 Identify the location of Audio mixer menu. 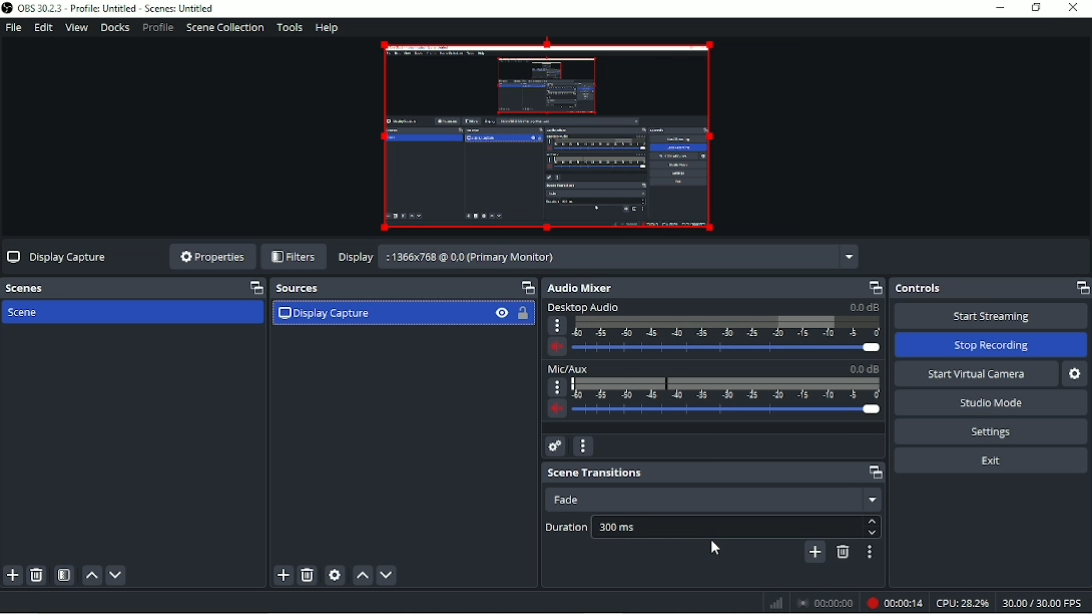
(586, 446).